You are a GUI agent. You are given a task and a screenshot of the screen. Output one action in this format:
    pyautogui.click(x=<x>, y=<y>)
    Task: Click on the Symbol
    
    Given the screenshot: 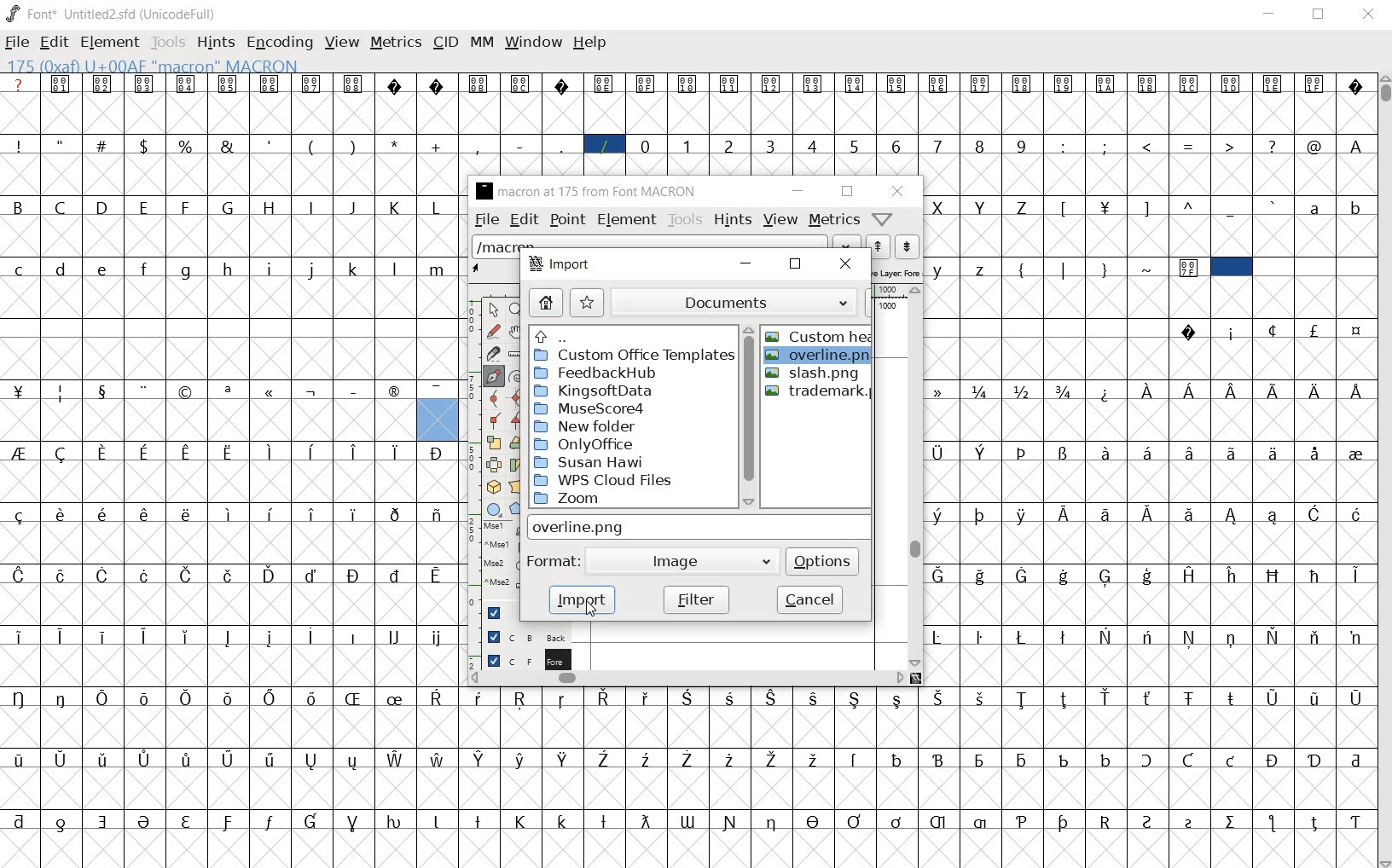 What is the action you would take?
    pyautogui.click(x=1354, y=391)
    